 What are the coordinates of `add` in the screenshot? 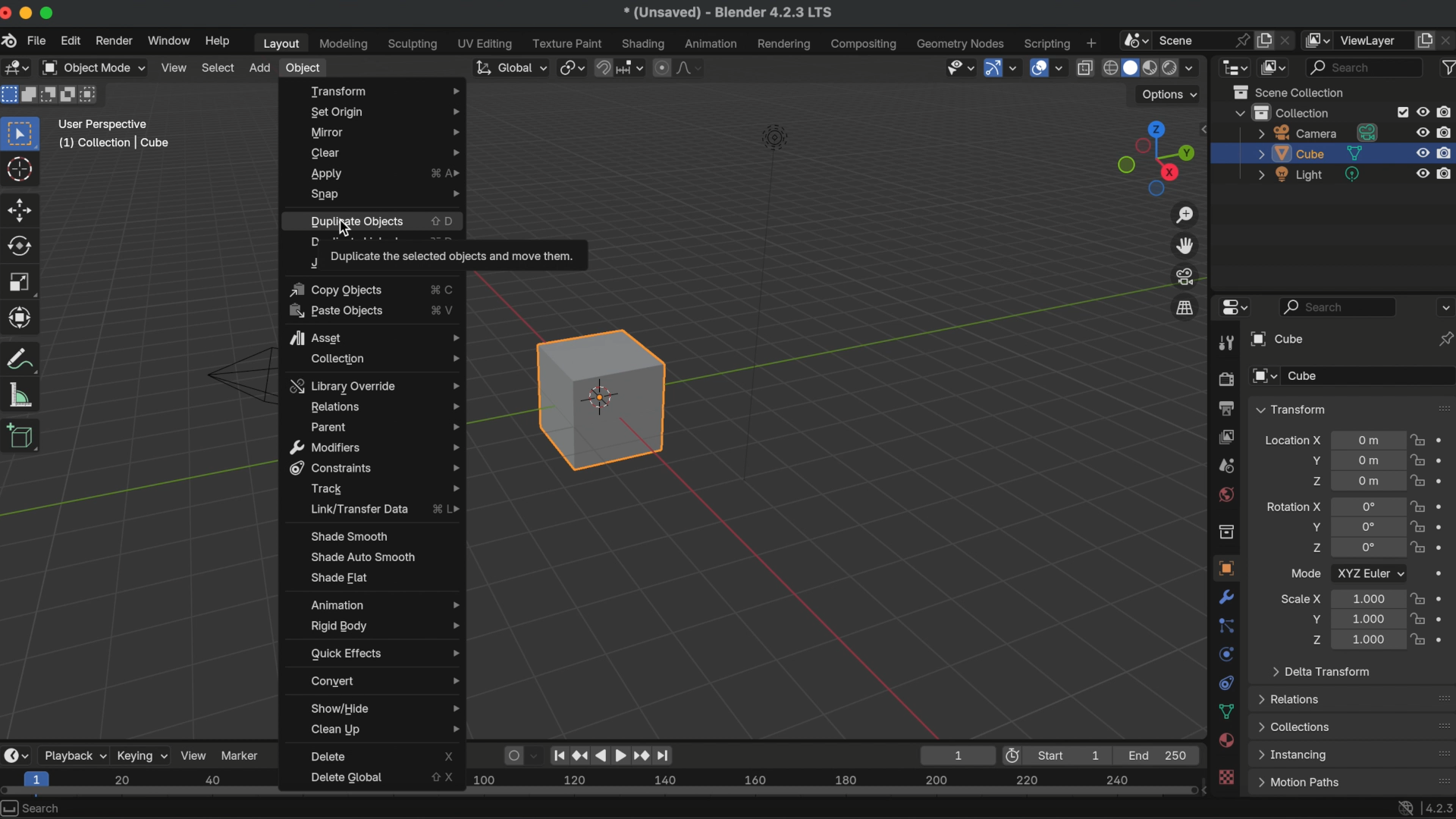 It's located at (259, 67).